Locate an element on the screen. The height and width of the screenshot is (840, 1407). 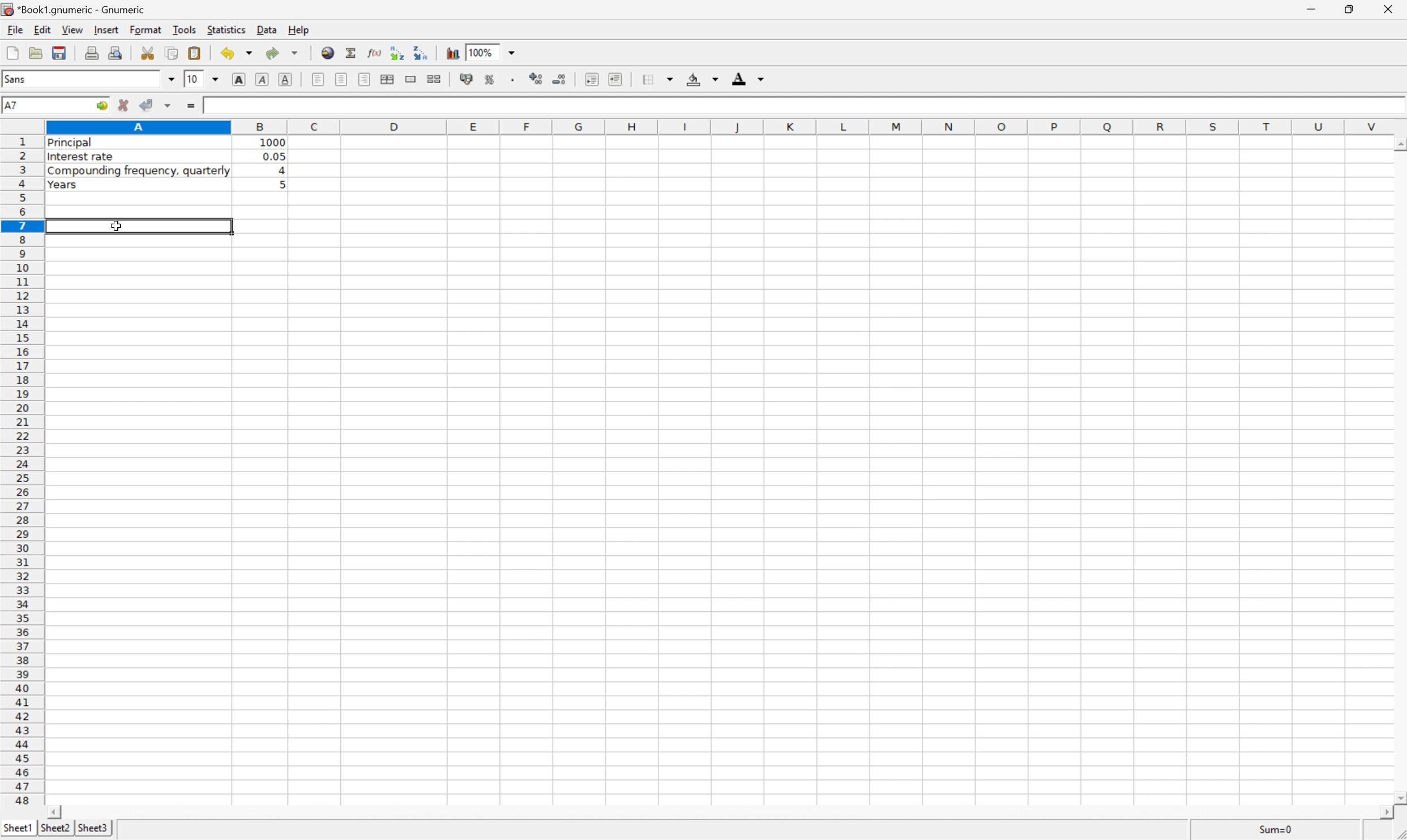
file is located at coordinates (13, 29).